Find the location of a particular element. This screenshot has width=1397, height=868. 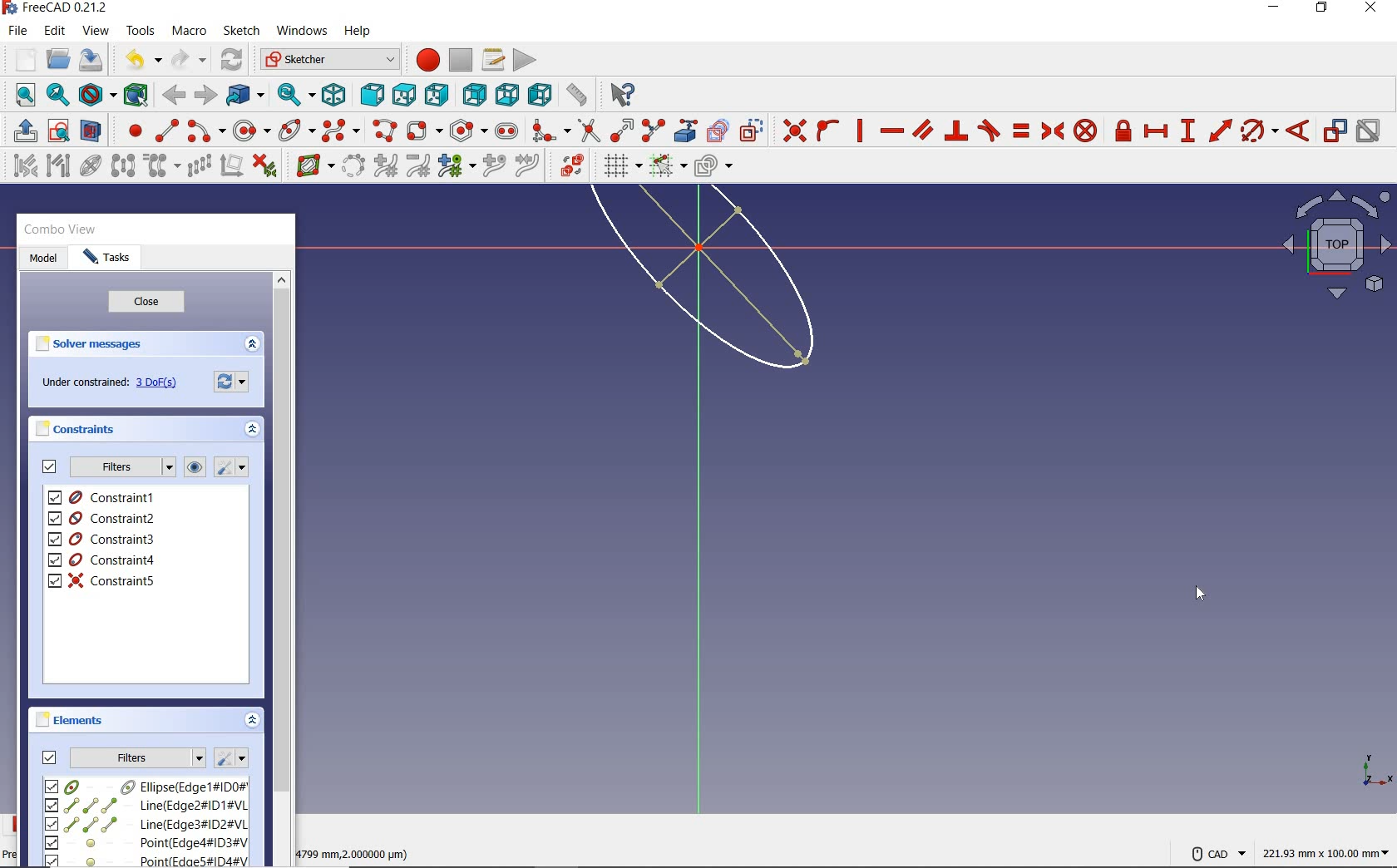

configure rendering order is located at coordinates (712, 167).